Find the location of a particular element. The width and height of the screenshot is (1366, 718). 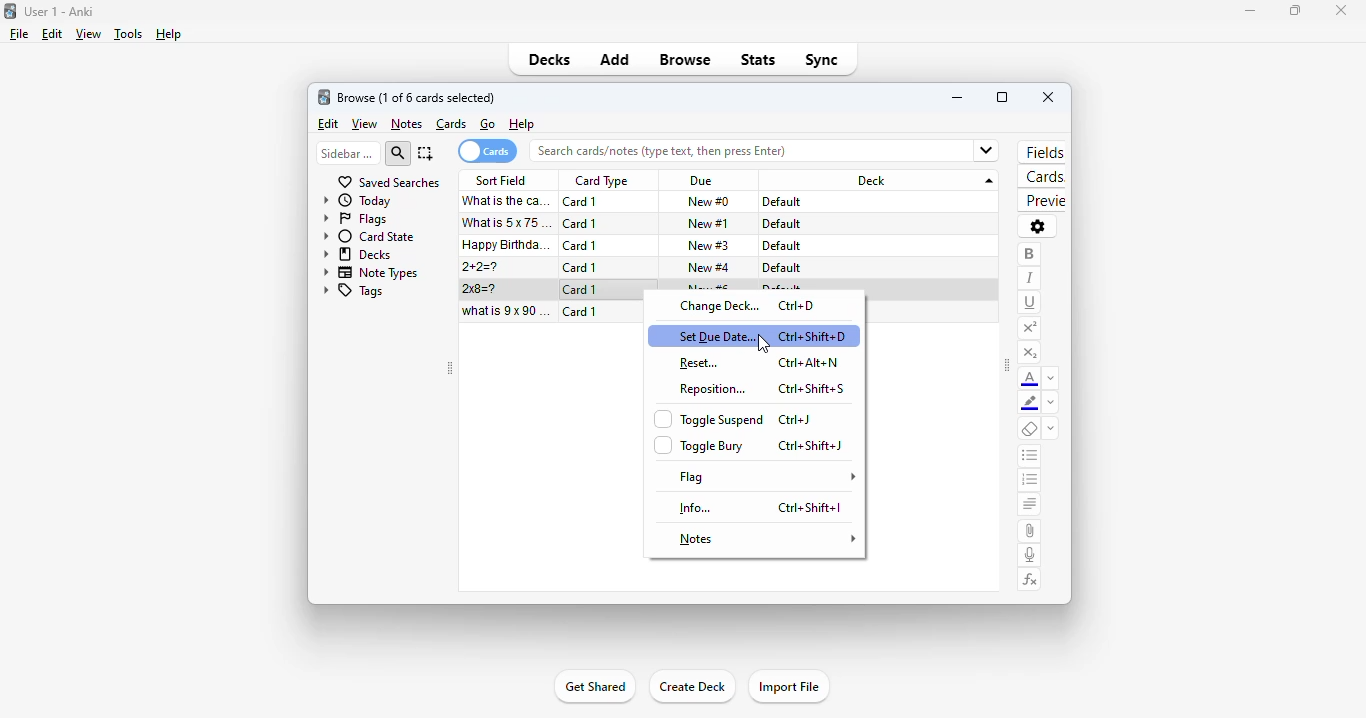

remove formatting is located at coordinates (1030, 430).